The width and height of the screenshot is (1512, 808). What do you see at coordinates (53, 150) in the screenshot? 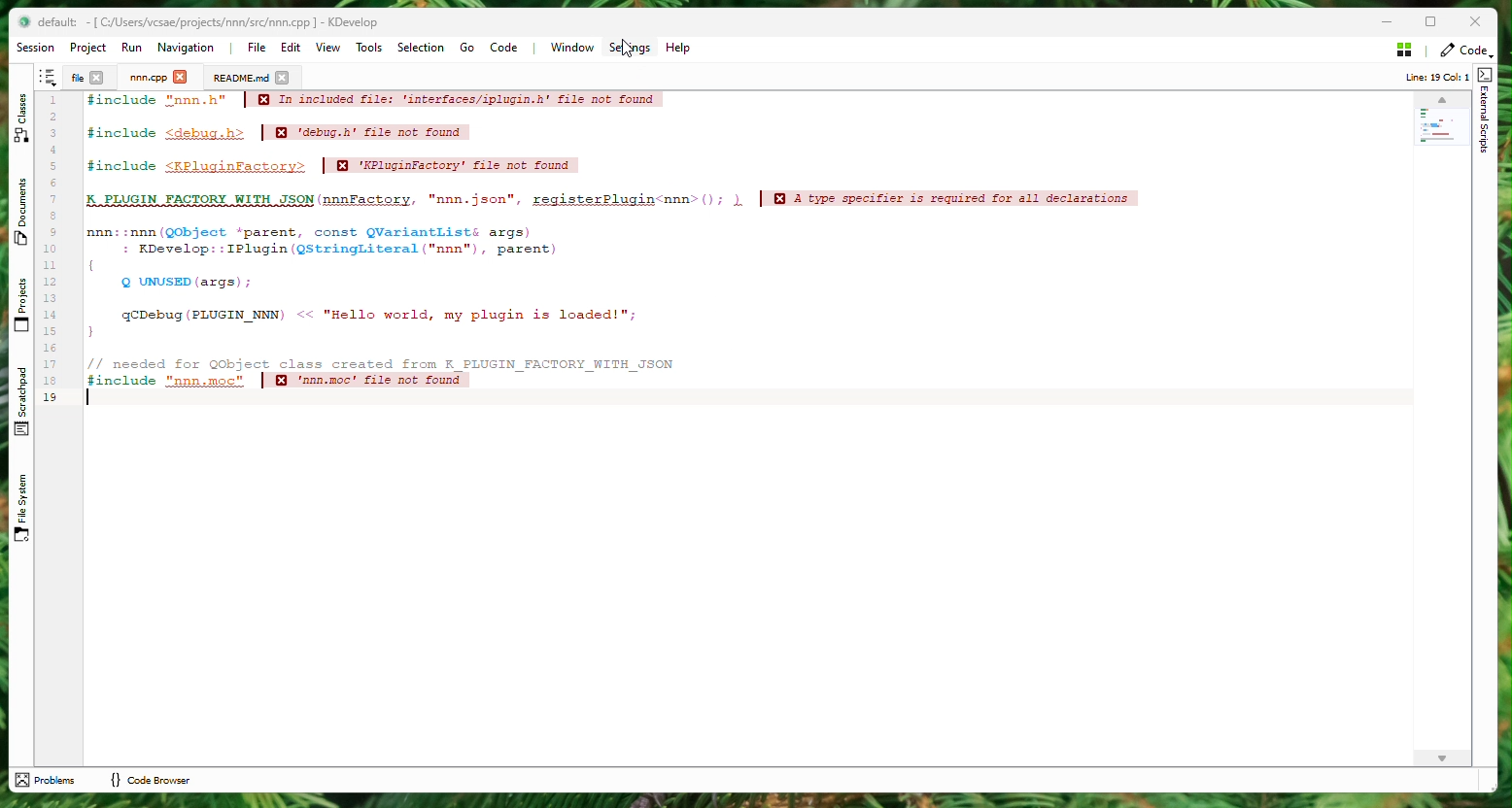
I see `4` at bounding box center [53, 150].